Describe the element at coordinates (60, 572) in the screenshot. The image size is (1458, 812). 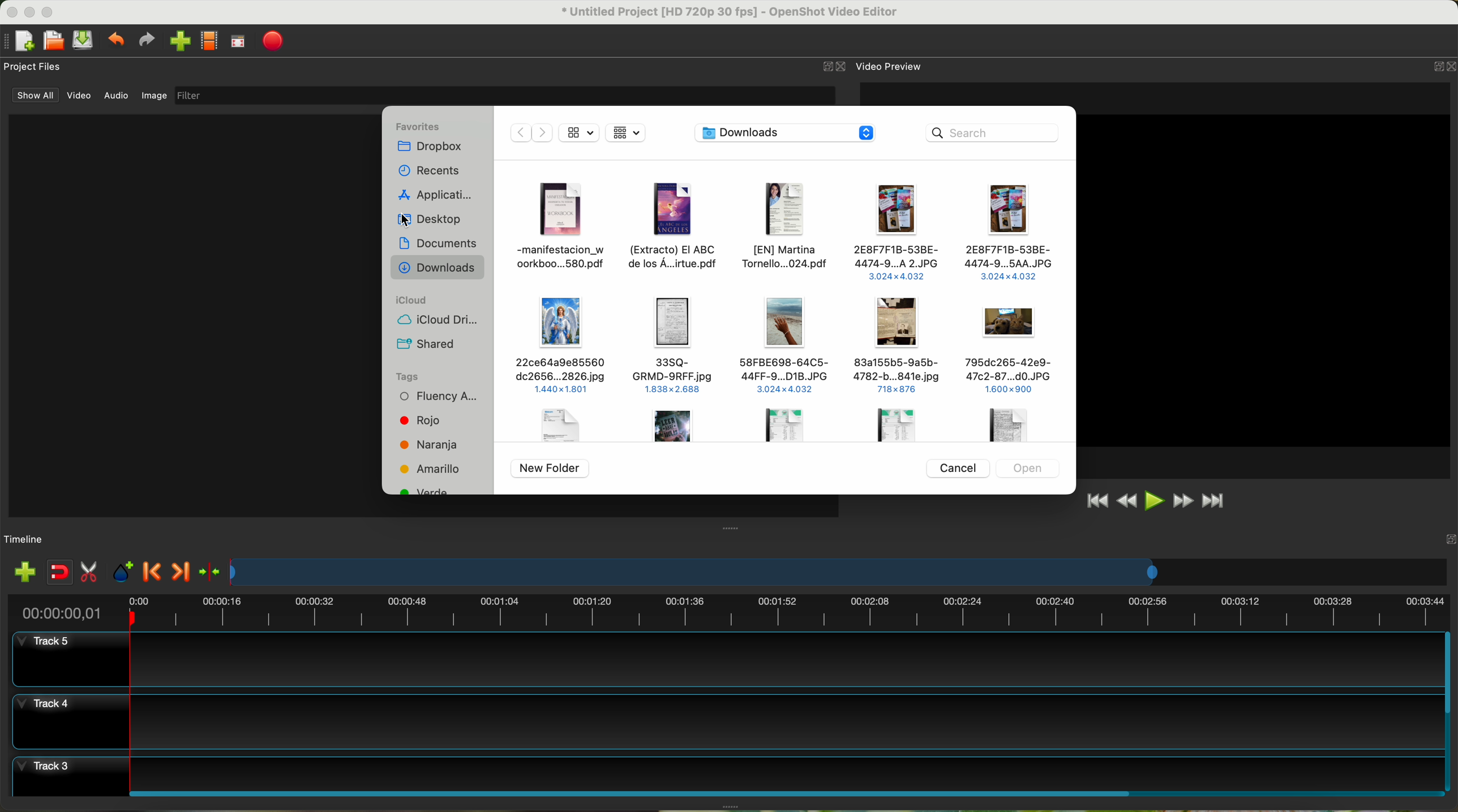
I see `disable snapping` at that location.